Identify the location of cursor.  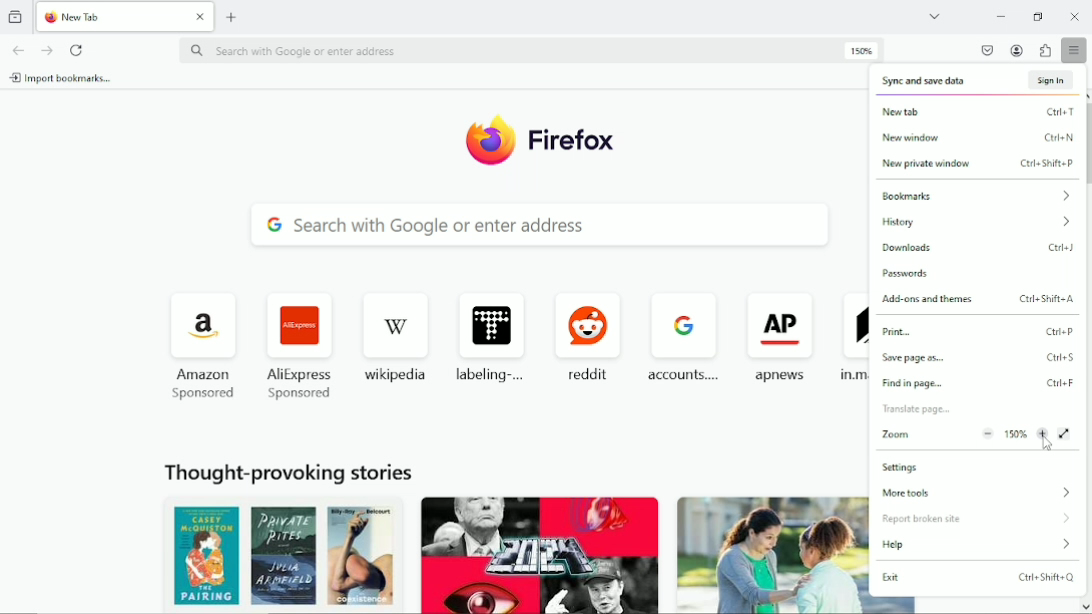
(1045, 443).